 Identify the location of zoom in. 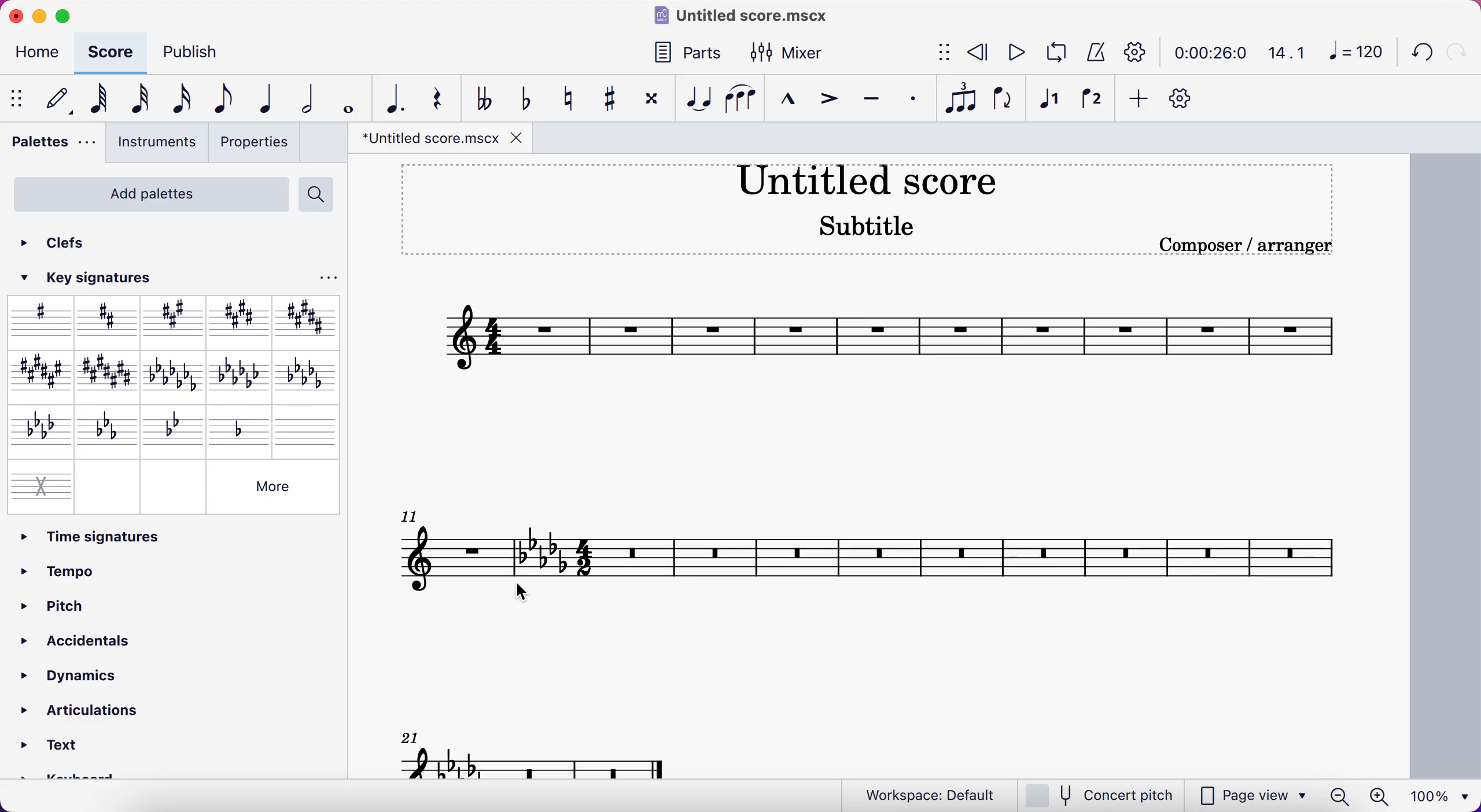
(1381, 795).